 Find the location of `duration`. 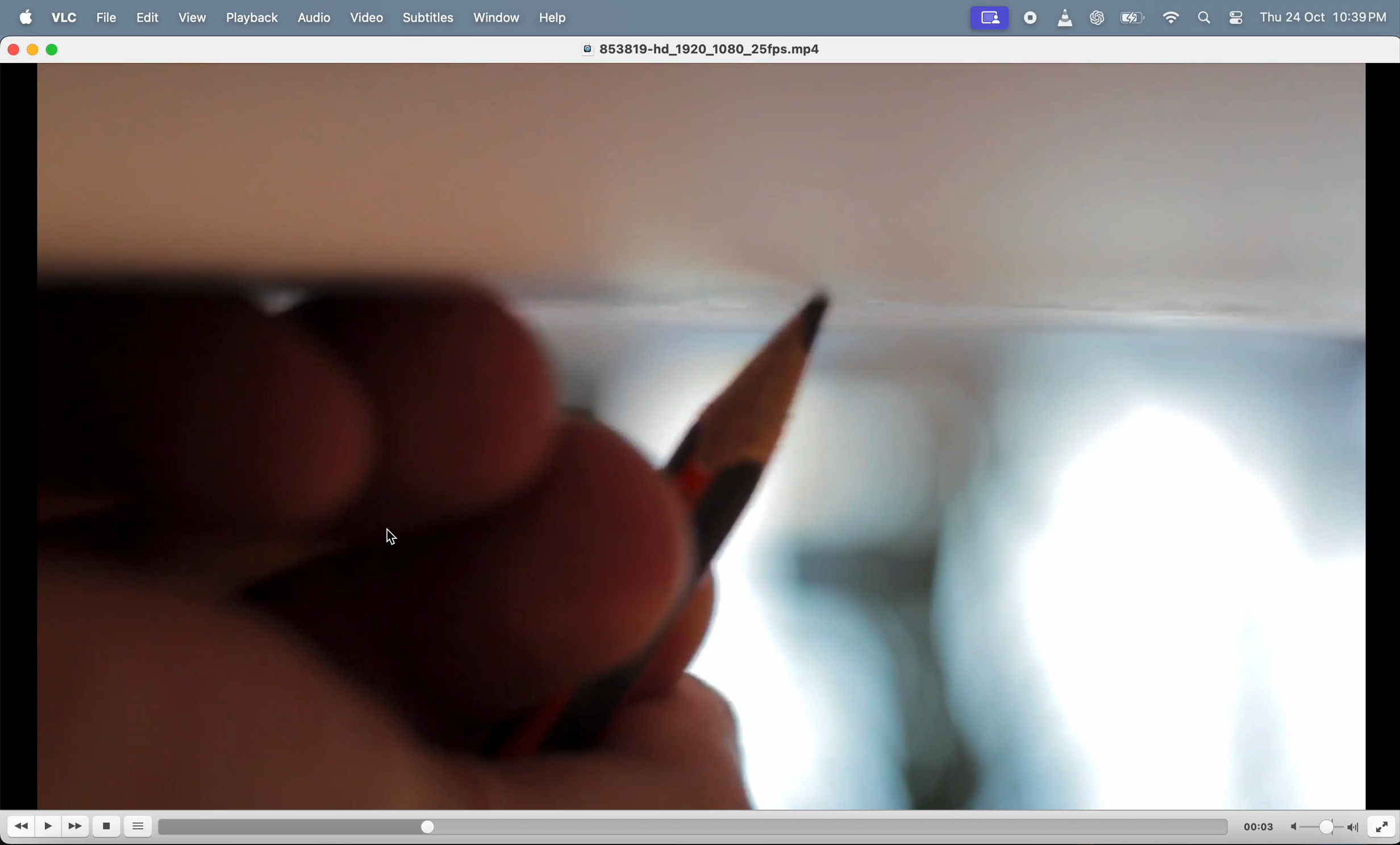

duration is located at coordinates (678, 825).